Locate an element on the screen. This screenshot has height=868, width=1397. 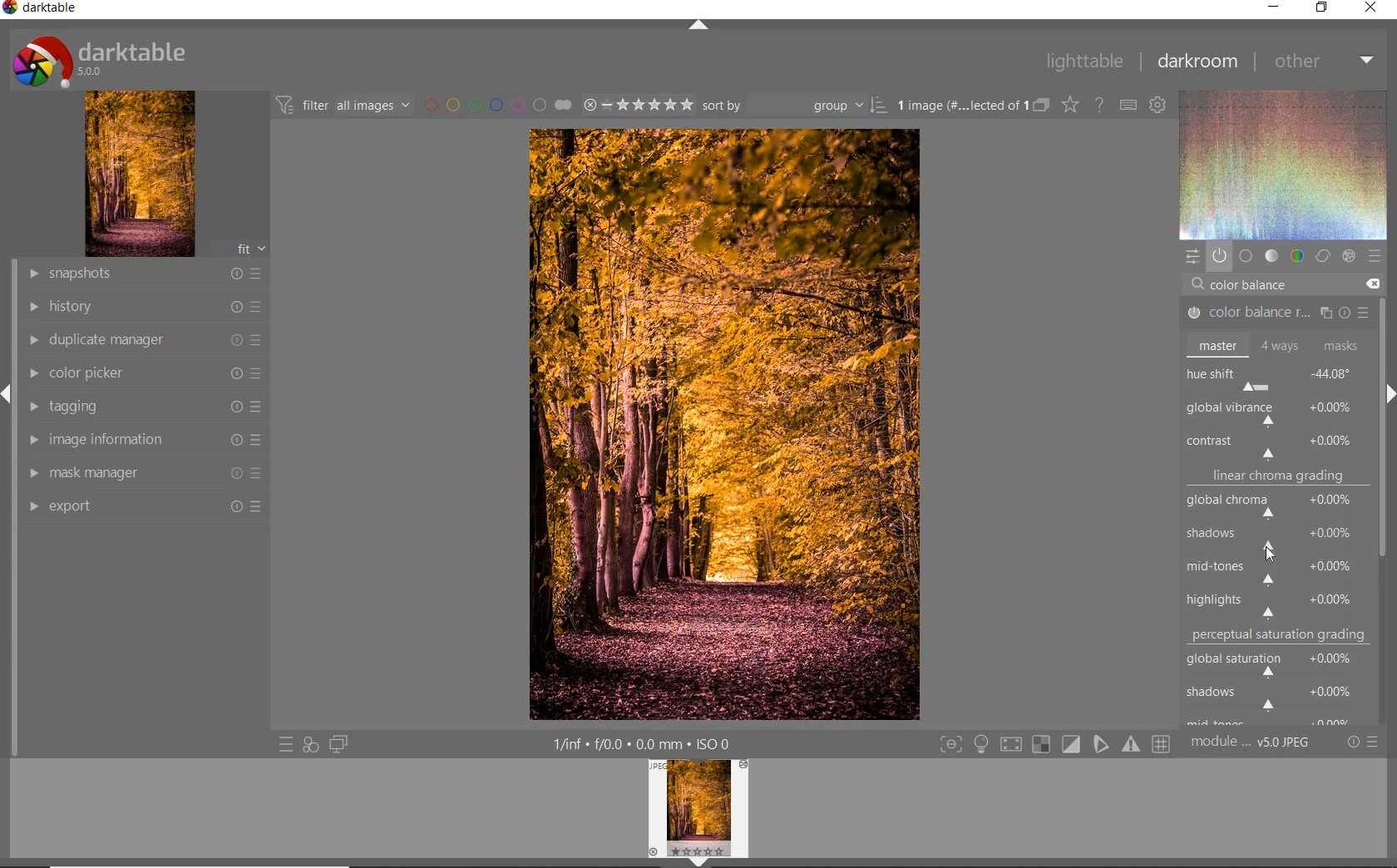
lighttable is located at coordinates (1084, 62).